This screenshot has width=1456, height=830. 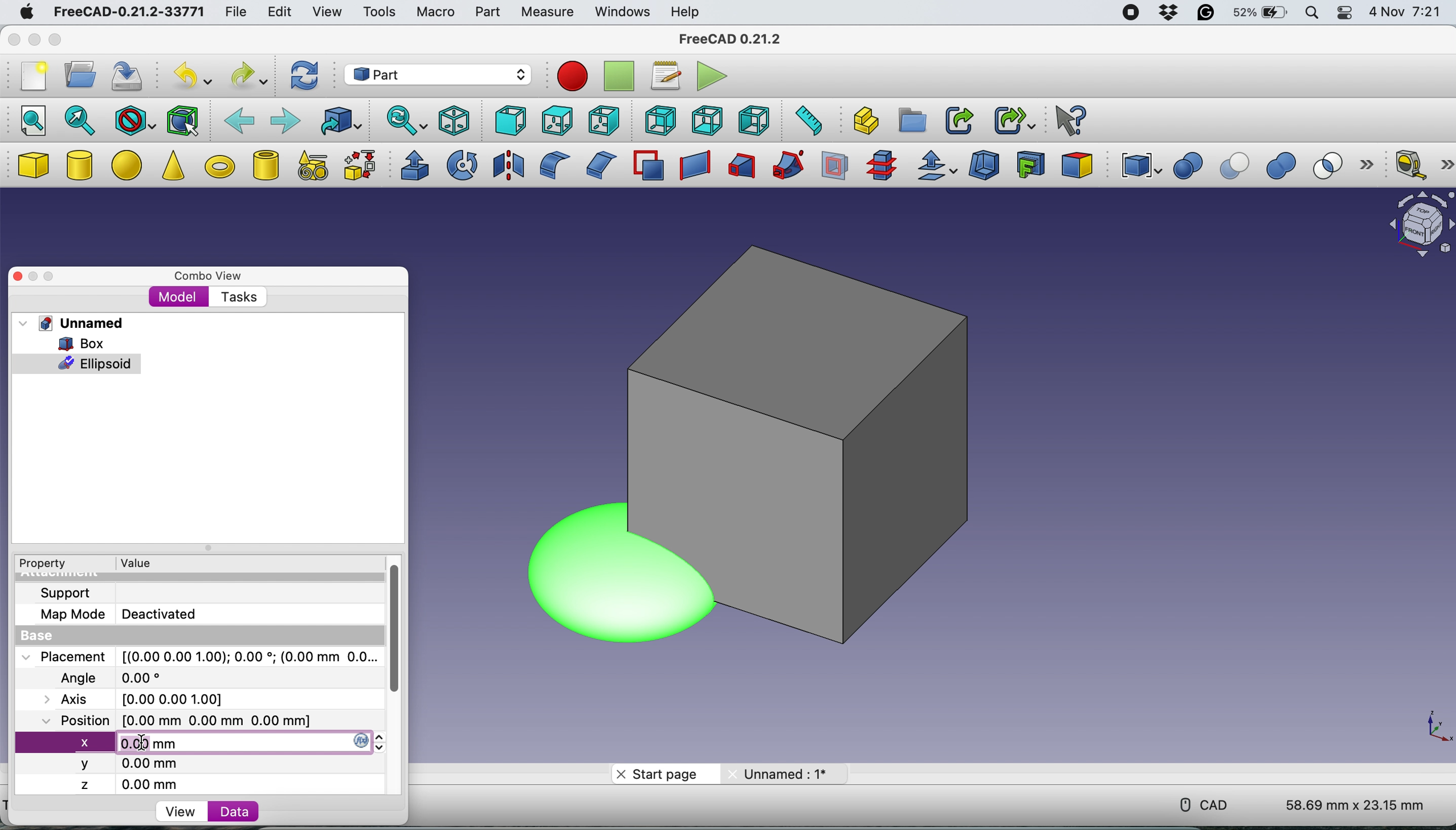 What do you see at coordinates (326, 11) in the screenshot?
I see `view` at bounding box center [326, 11].